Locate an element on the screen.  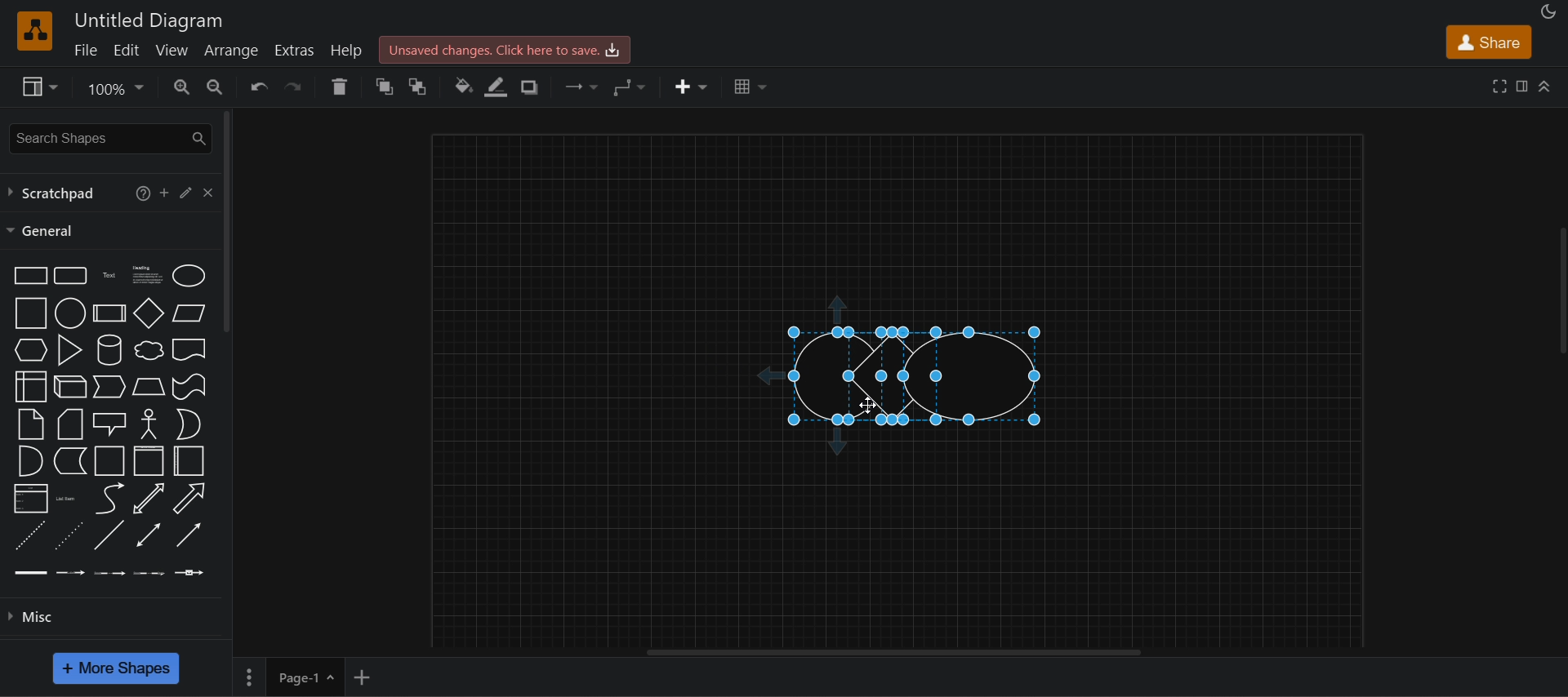
guide arrow is located at coordinates (837, 307).